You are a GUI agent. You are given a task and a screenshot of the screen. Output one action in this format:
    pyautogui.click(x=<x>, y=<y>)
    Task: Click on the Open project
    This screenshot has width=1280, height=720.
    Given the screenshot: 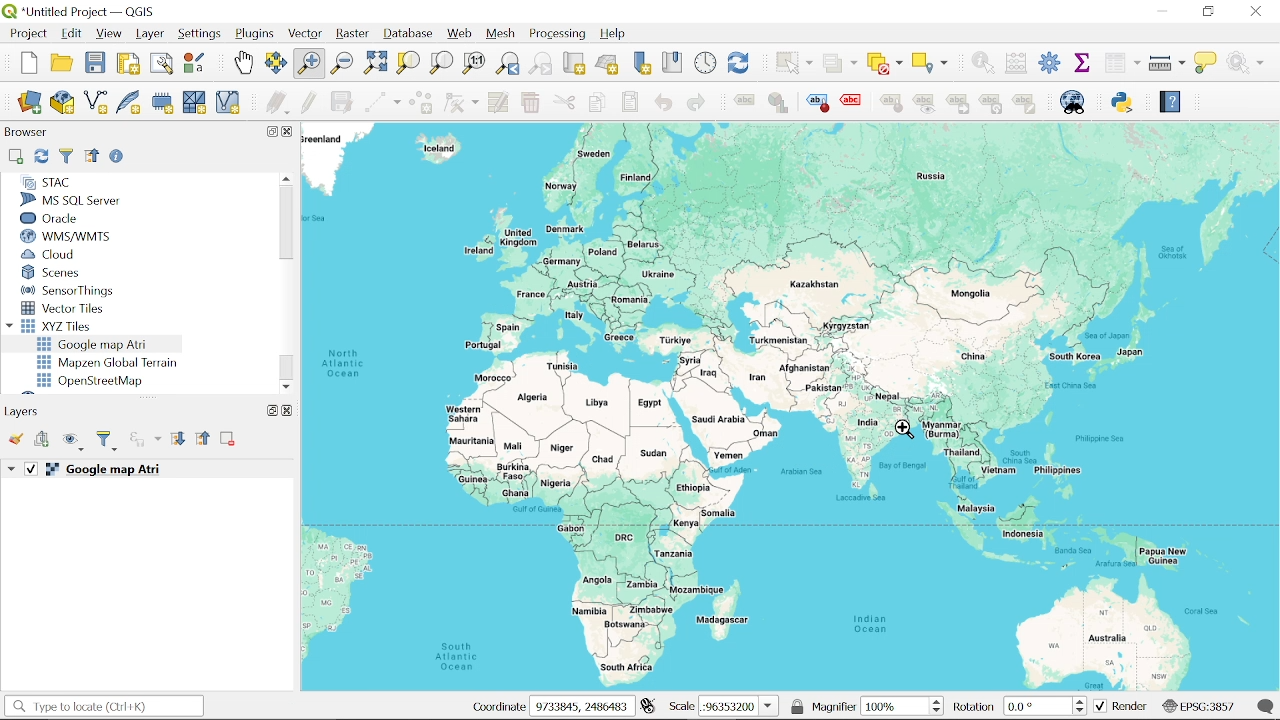 What is the action you would take?
    pyautogui.click(x=64, y=63)
    